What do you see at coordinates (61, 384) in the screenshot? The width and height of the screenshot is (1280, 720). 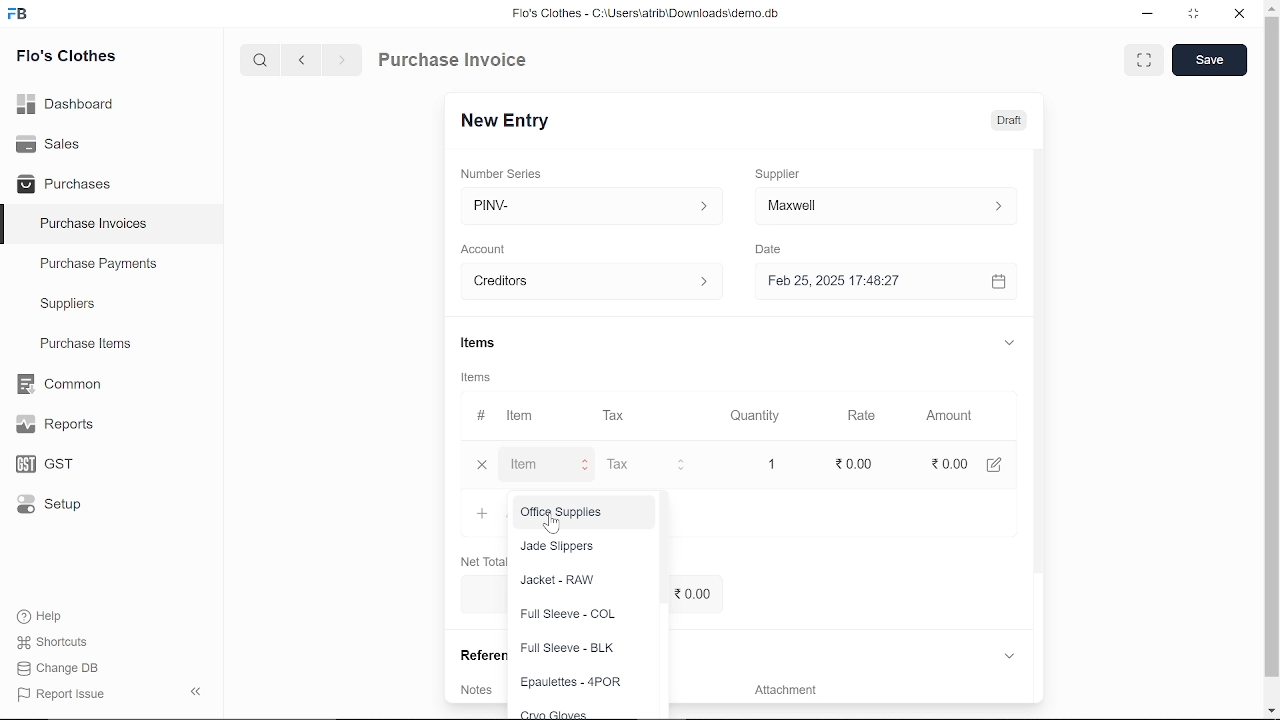 I see `Common` at bounding box center [61, 384].